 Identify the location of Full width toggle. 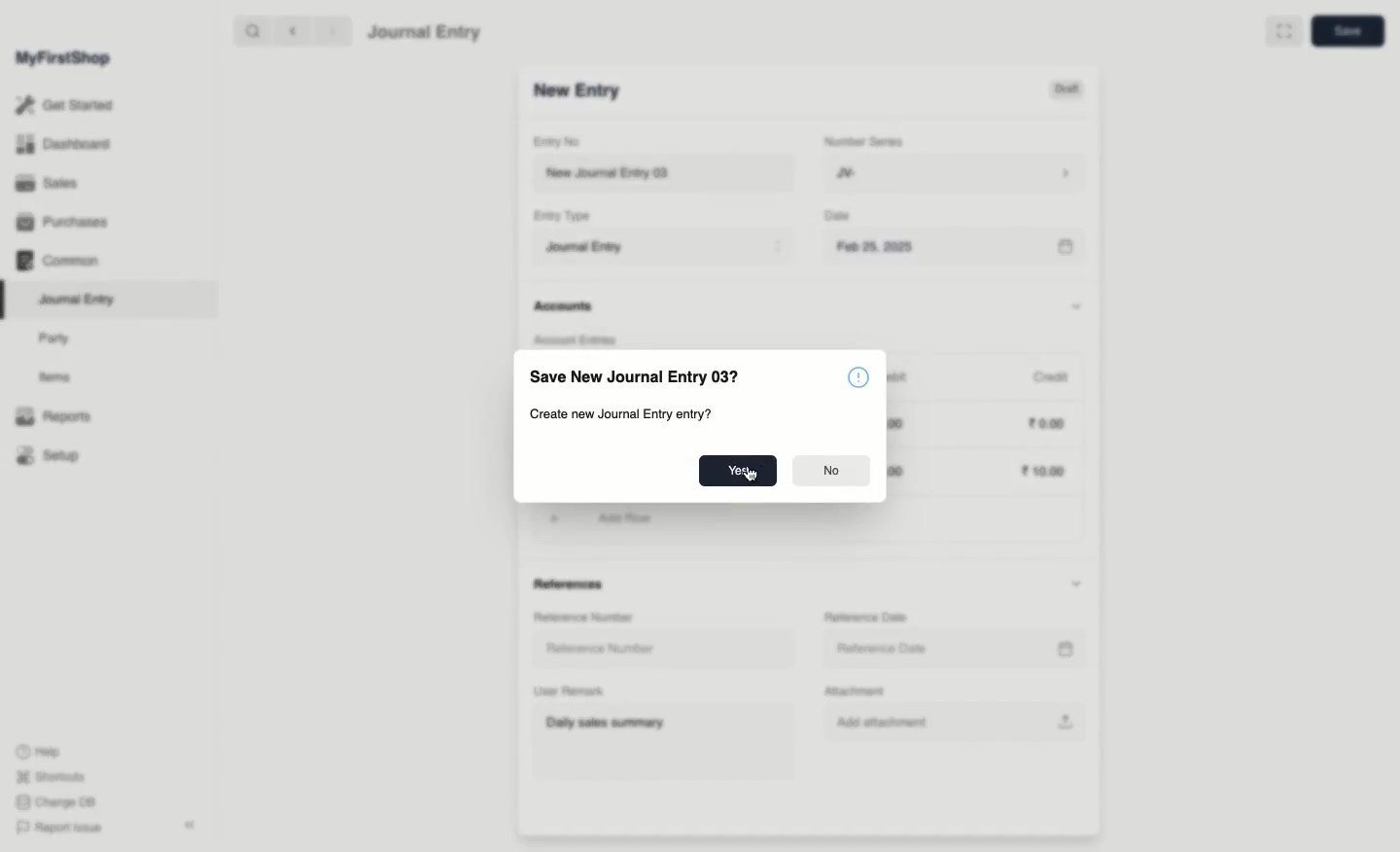
(1282, 32).